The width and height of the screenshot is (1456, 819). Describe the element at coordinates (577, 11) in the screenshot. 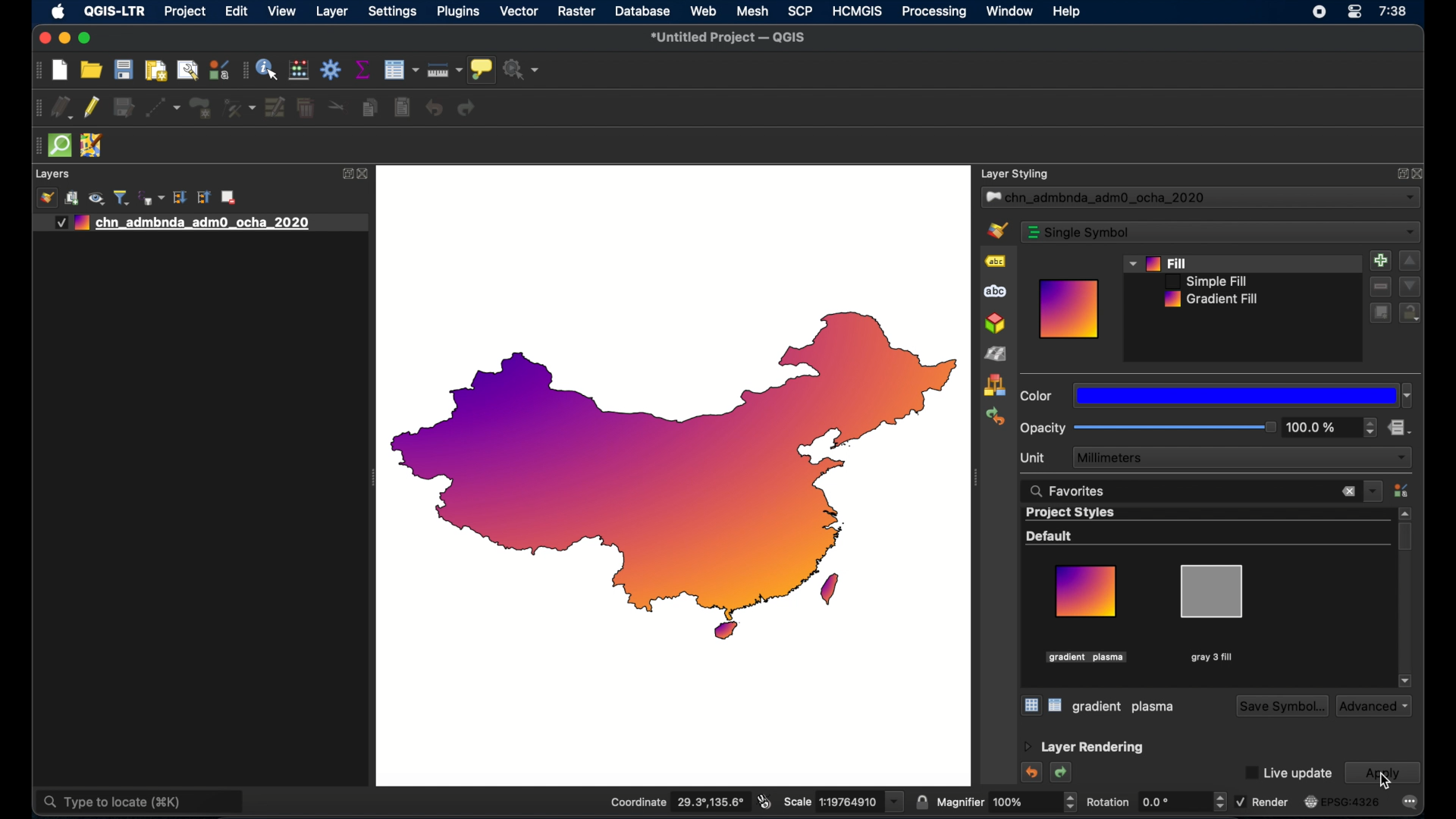

I see `raster` at that location.